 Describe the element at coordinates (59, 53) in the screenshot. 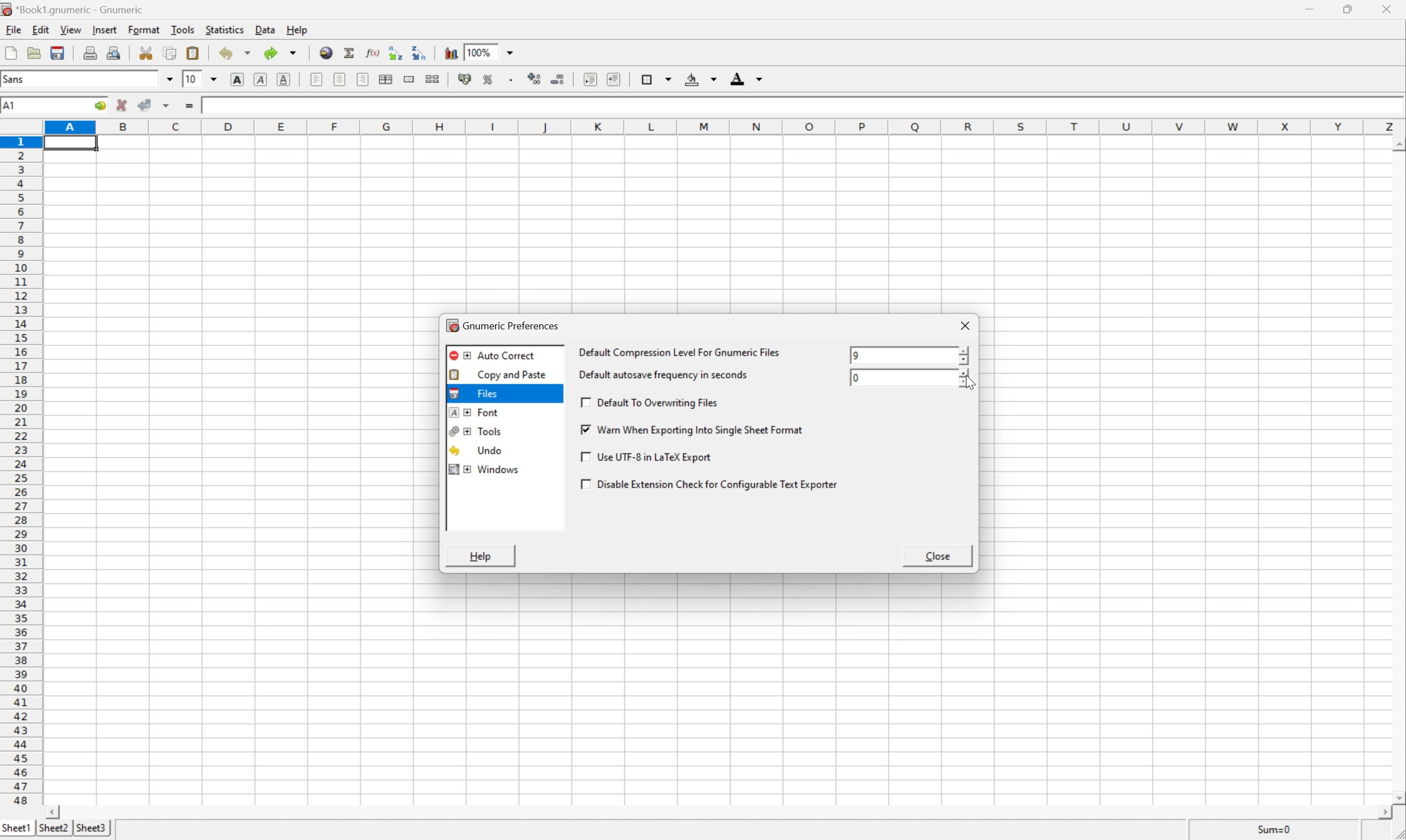

I see `save current workbook` at that location.